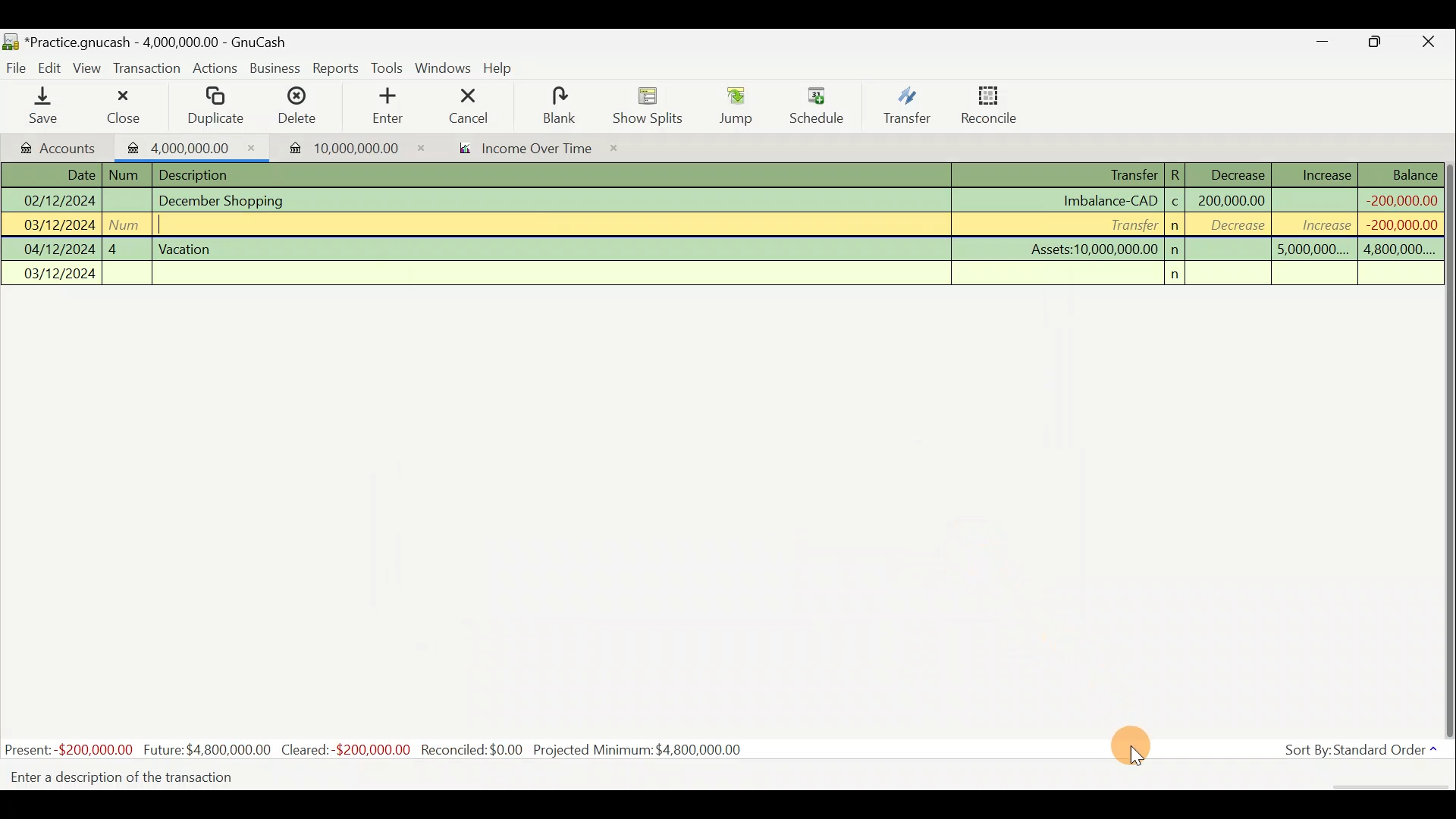 Image resolution: width=1456 pixels, height=819 pixels. I want to click on View, so click(92, 67).